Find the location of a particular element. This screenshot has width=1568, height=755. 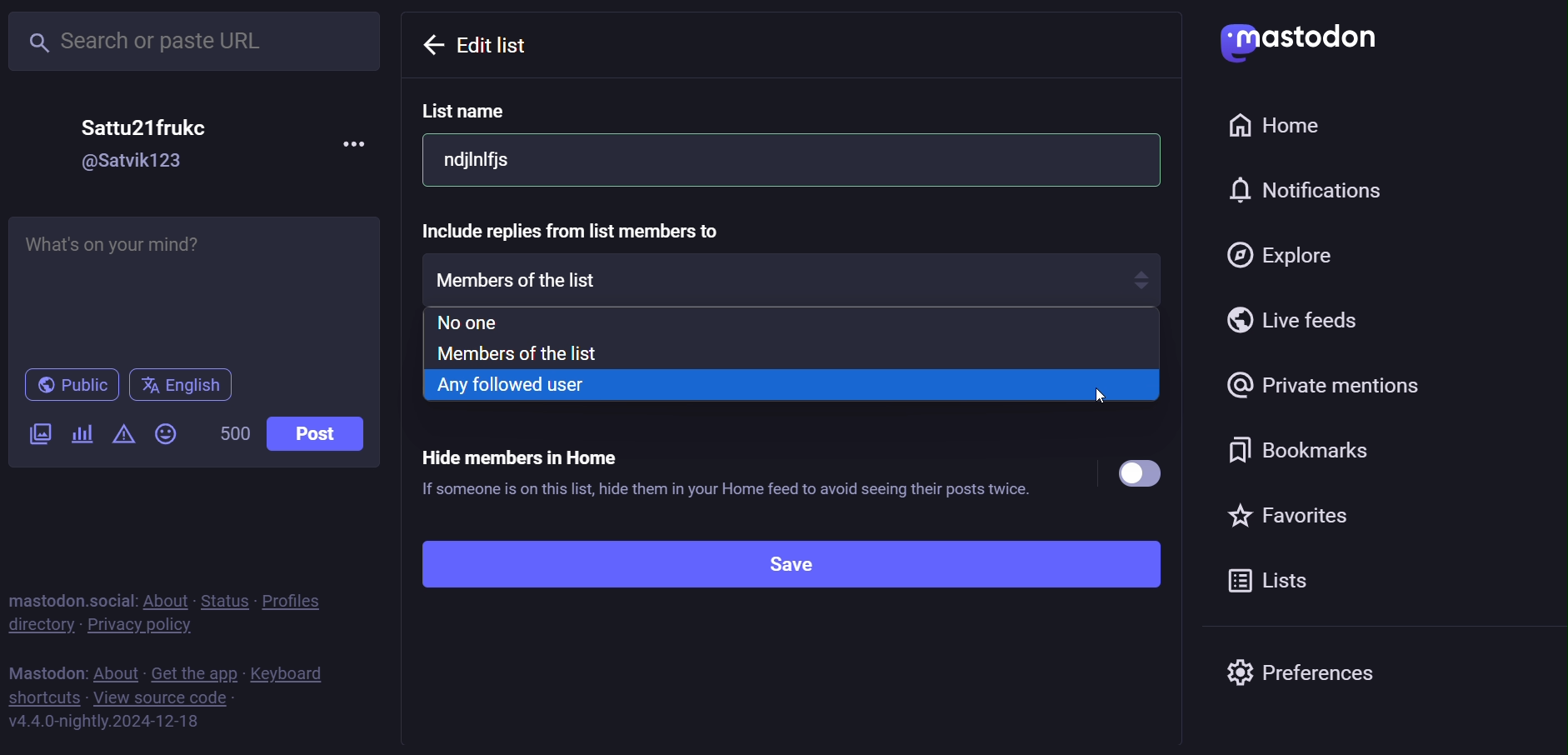

save is located at coordinates (773, 564).